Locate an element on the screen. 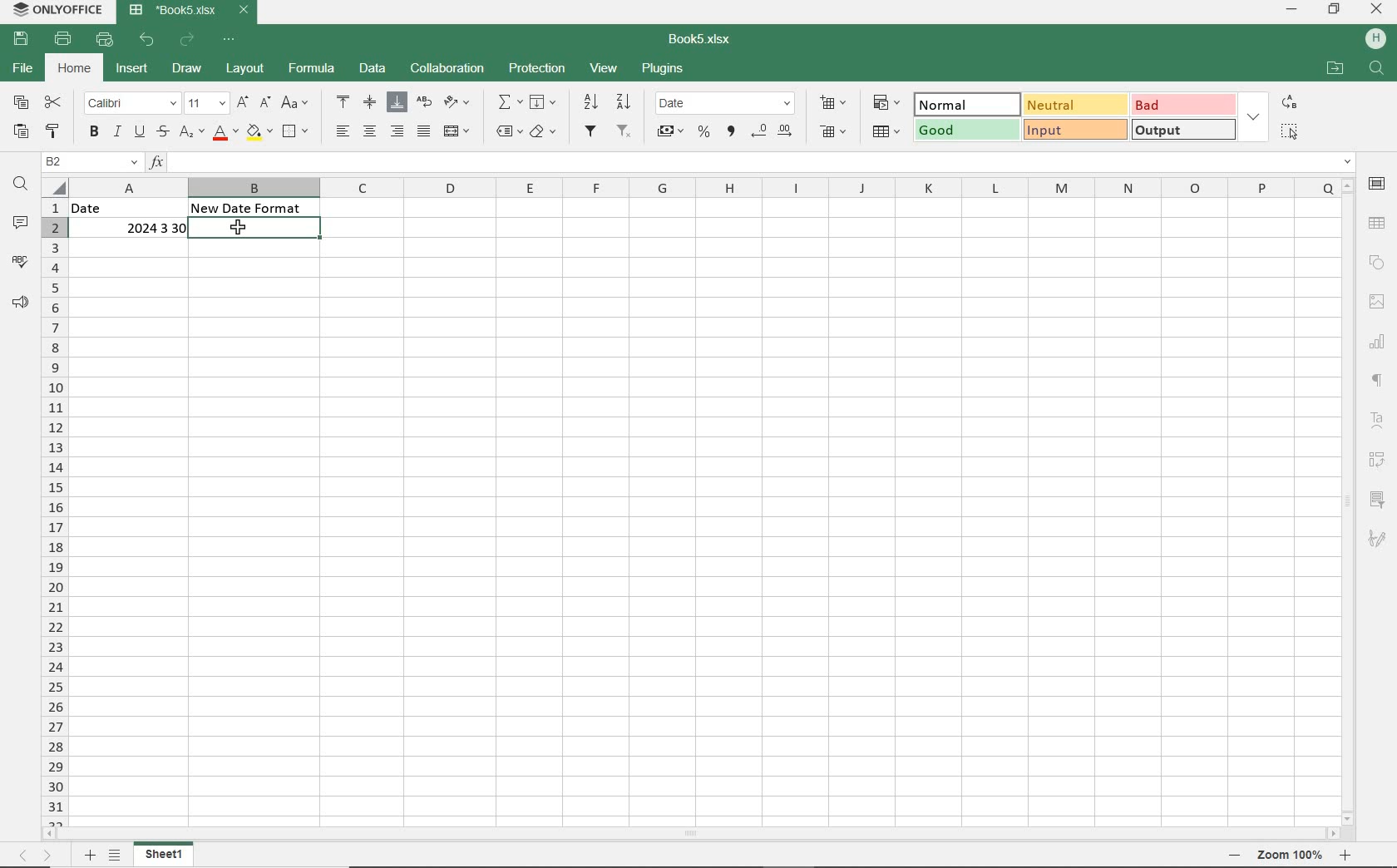  ALIGN LEFT is located at coordinates (341, 131).